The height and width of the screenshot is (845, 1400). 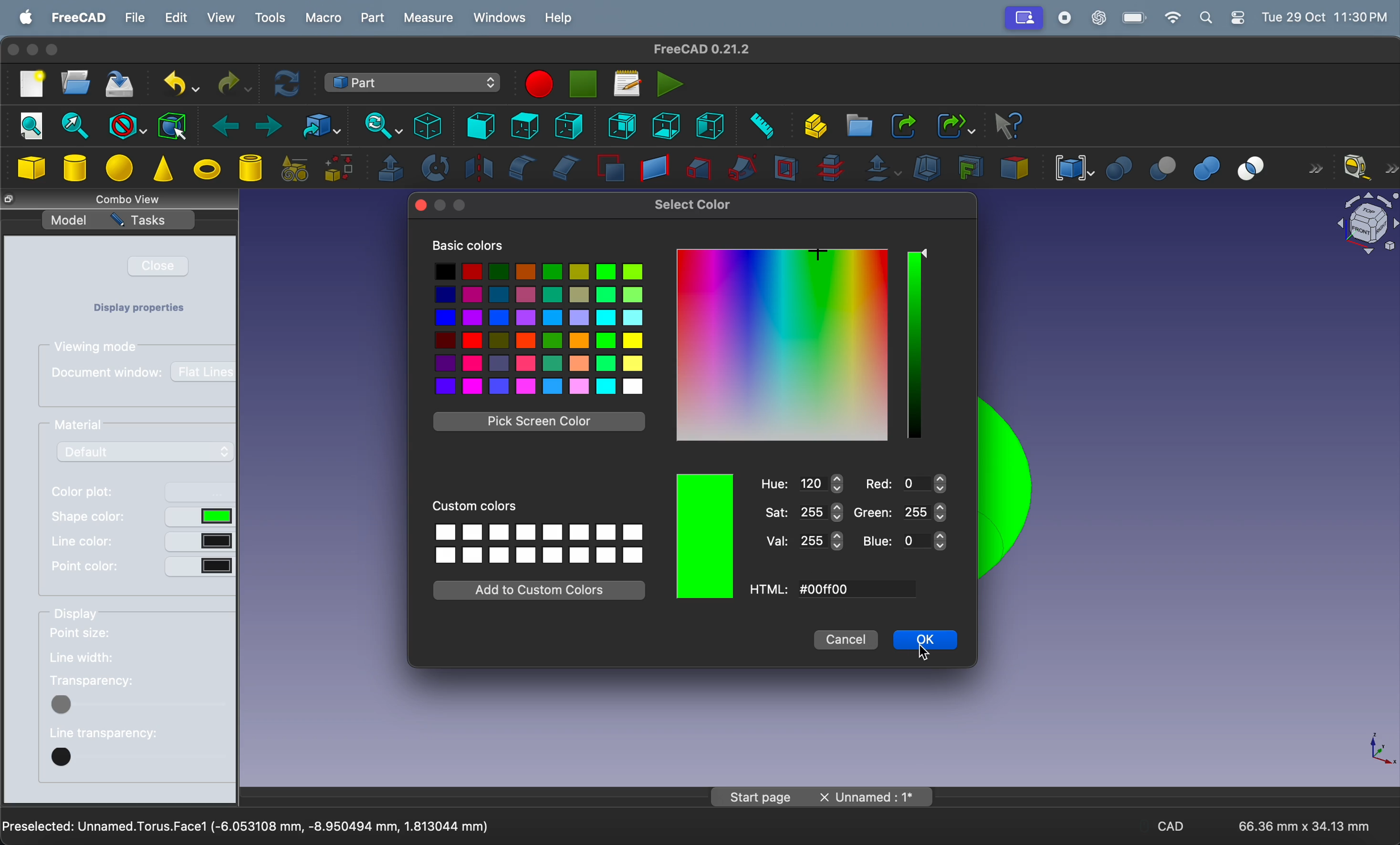 What do you see at coordinates (769, 589) in the screenshot?
I see `html` at bounding box center [769, 589].